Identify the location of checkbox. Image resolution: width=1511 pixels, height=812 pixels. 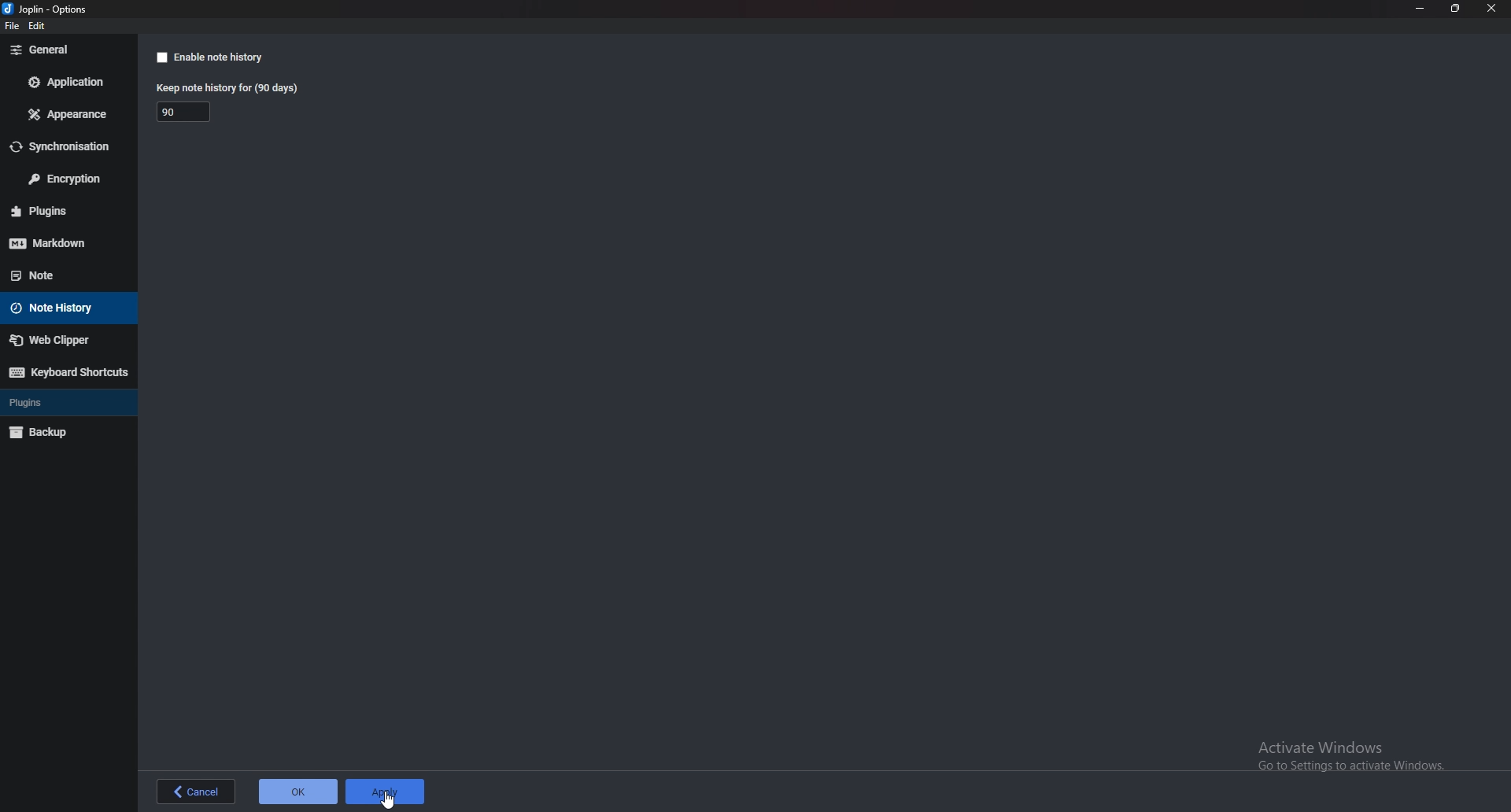
(161, 58).